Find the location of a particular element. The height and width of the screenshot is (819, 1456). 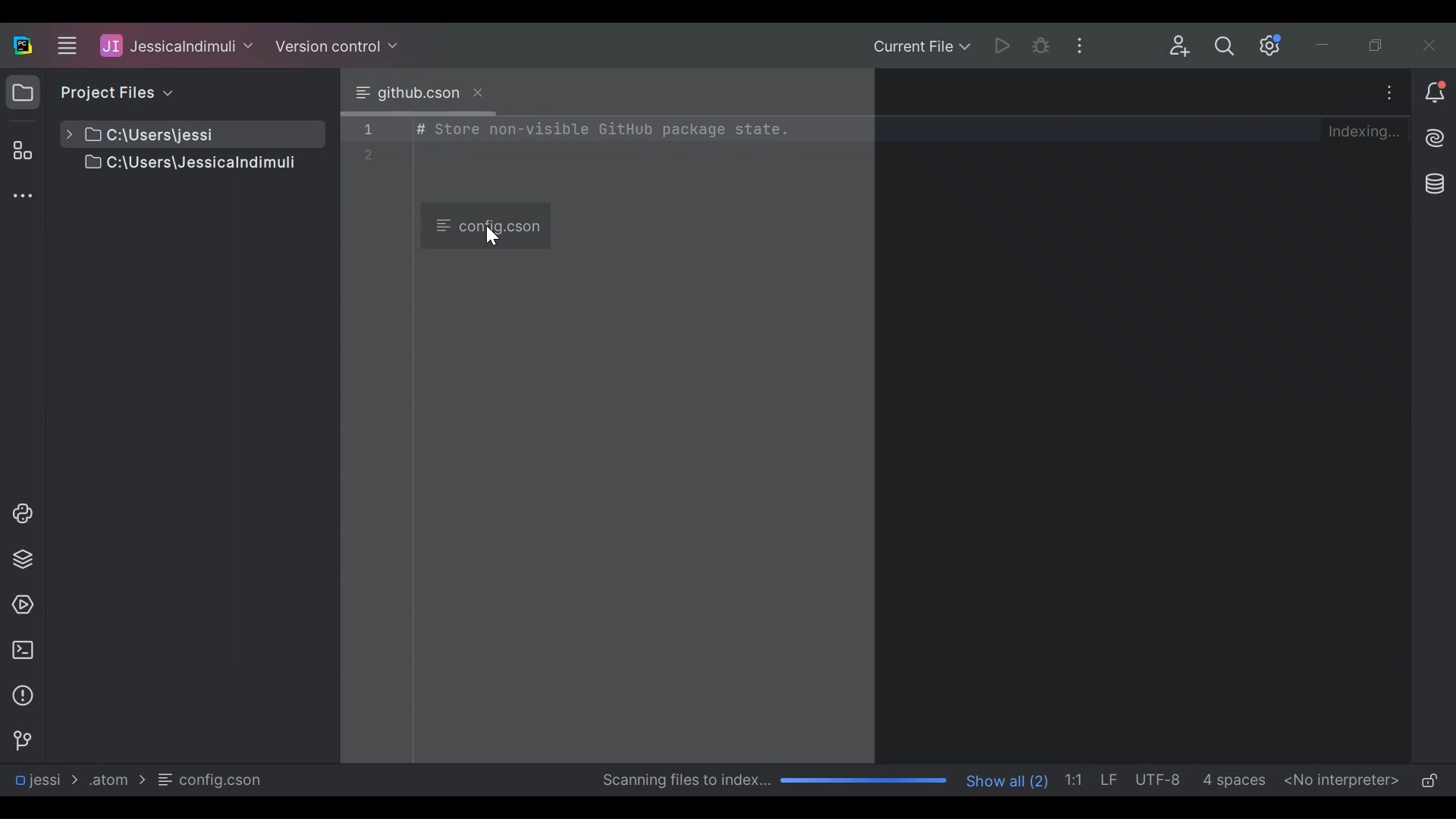

Services is located at coordinates (21, 606).